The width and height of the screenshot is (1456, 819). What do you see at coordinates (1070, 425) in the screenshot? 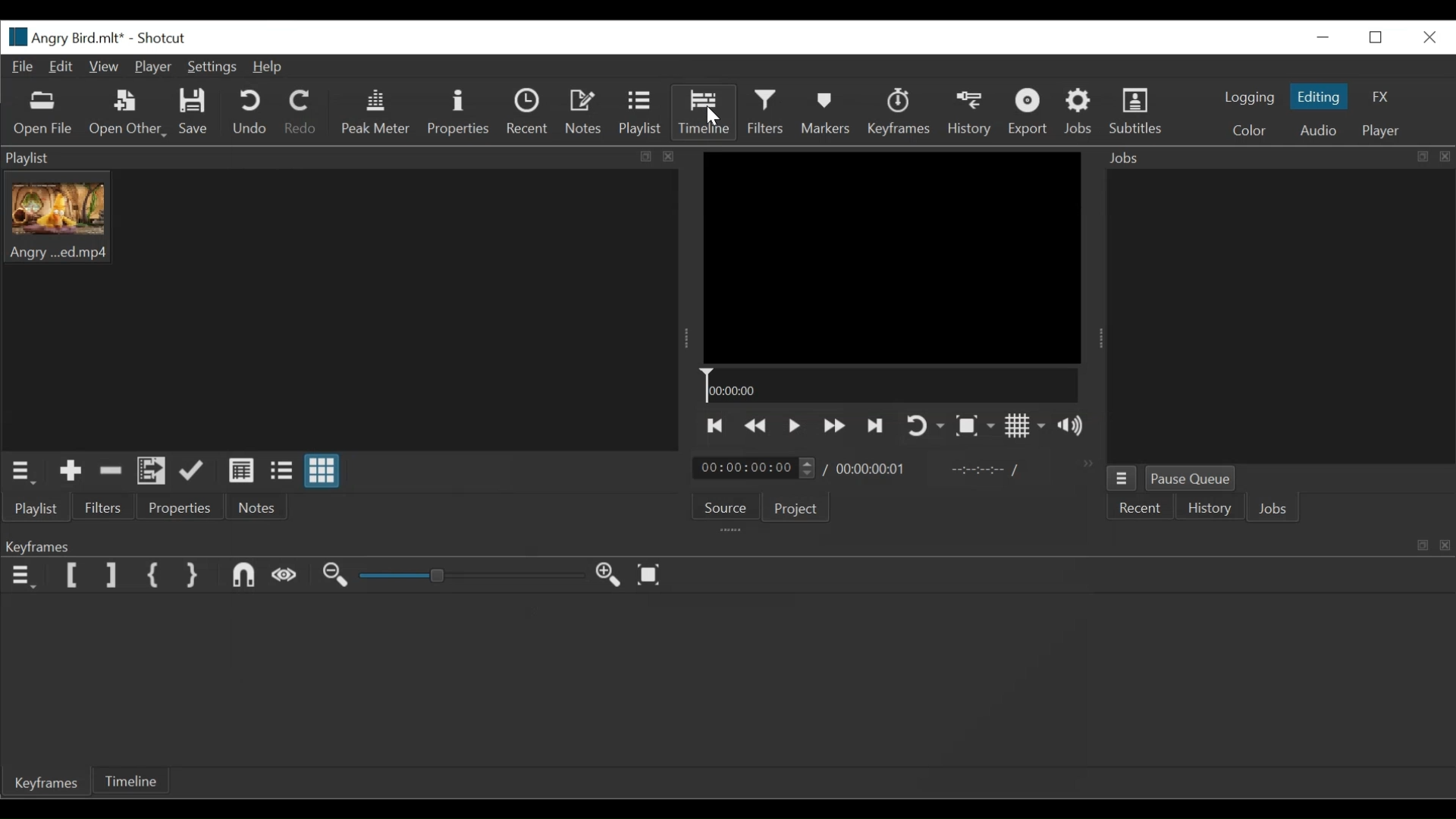
I see `Sow volume control` at bounding box center [1070, 425].